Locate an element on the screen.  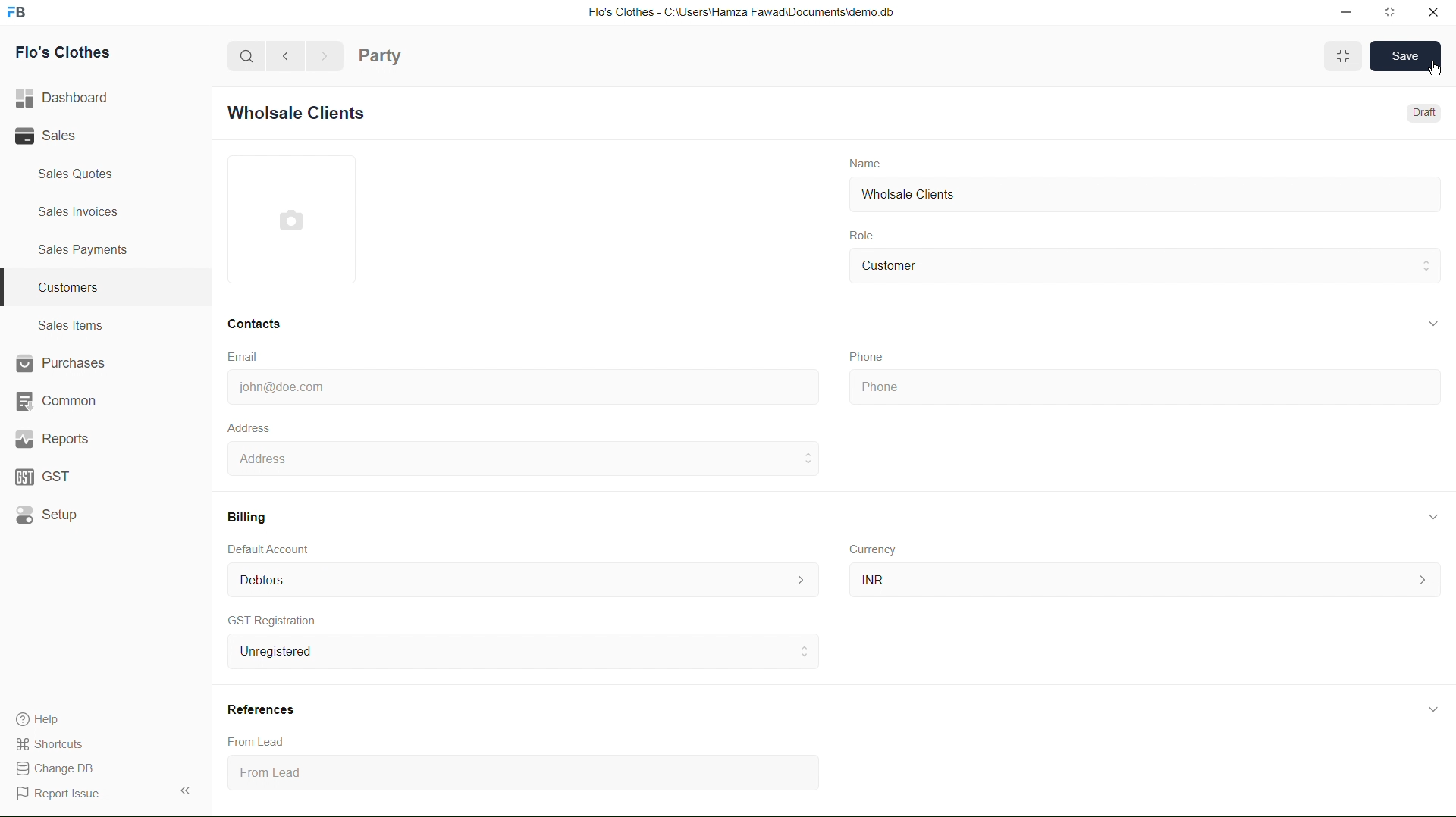
Shortcuts is located at coordinates (59, 743).